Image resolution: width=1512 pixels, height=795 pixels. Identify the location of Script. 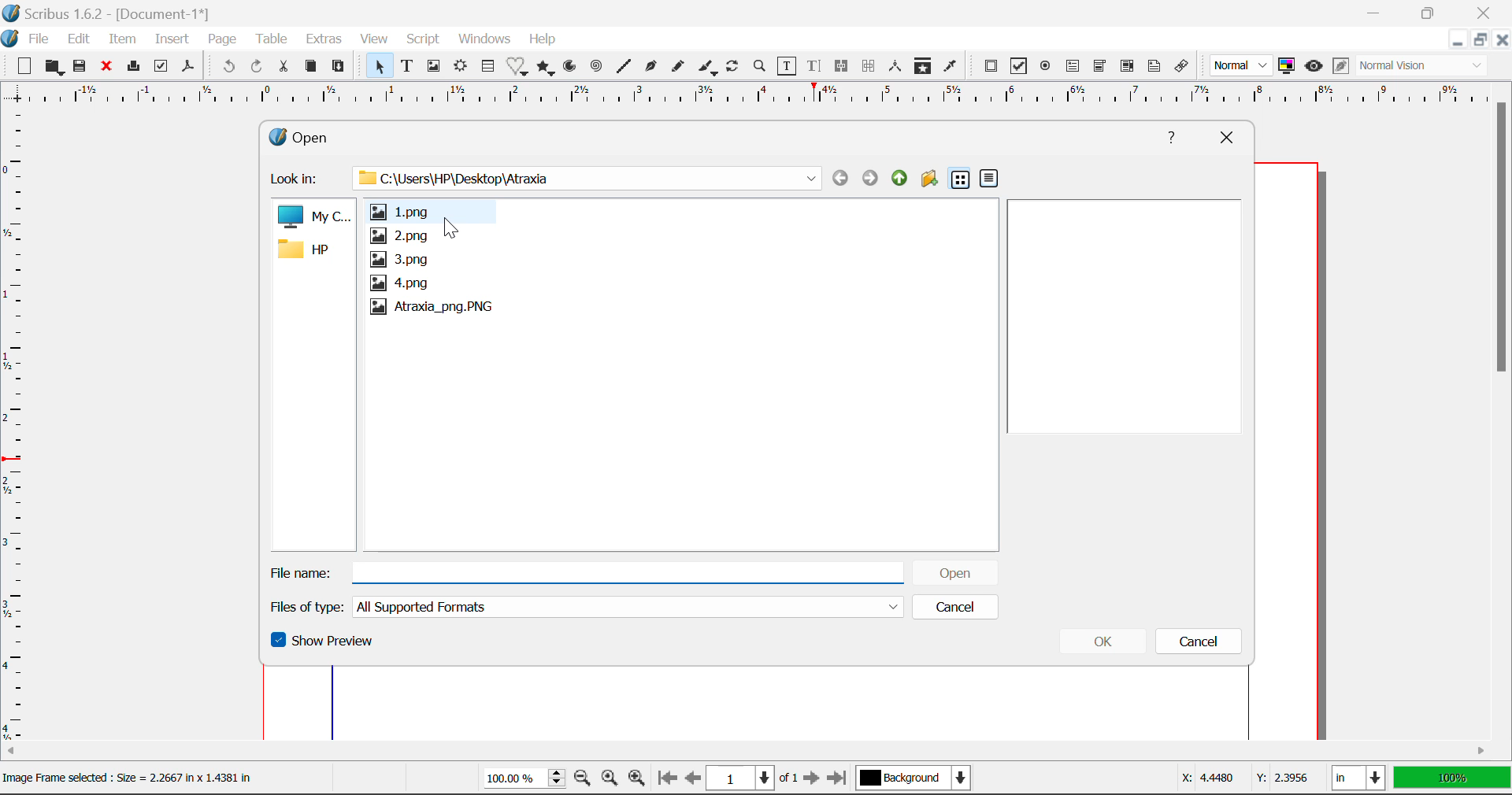
(422, 41).